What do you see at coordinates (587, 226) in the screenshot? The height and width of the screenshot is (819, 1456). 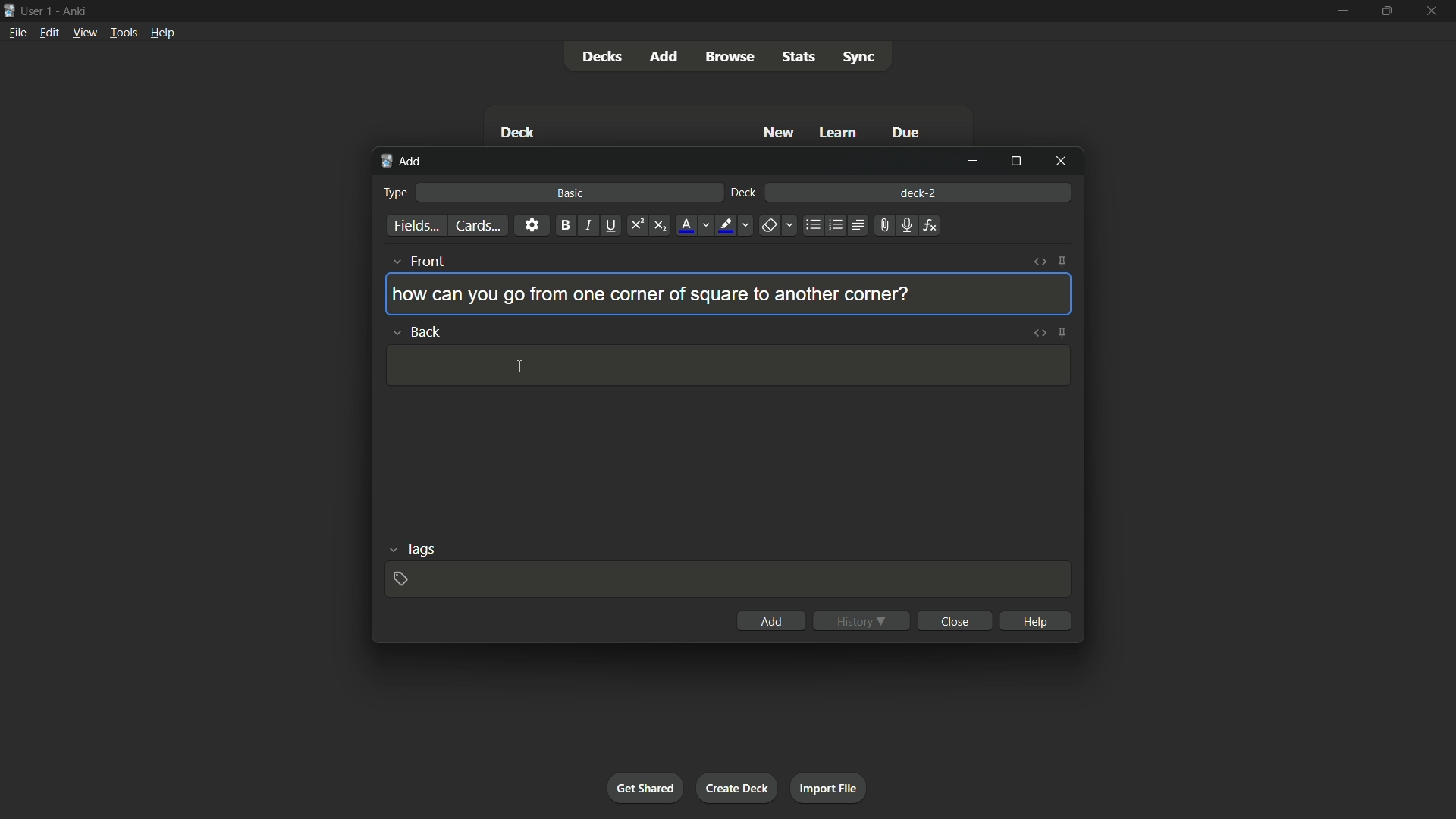 I see `italic` at bounding box center [587, 226].